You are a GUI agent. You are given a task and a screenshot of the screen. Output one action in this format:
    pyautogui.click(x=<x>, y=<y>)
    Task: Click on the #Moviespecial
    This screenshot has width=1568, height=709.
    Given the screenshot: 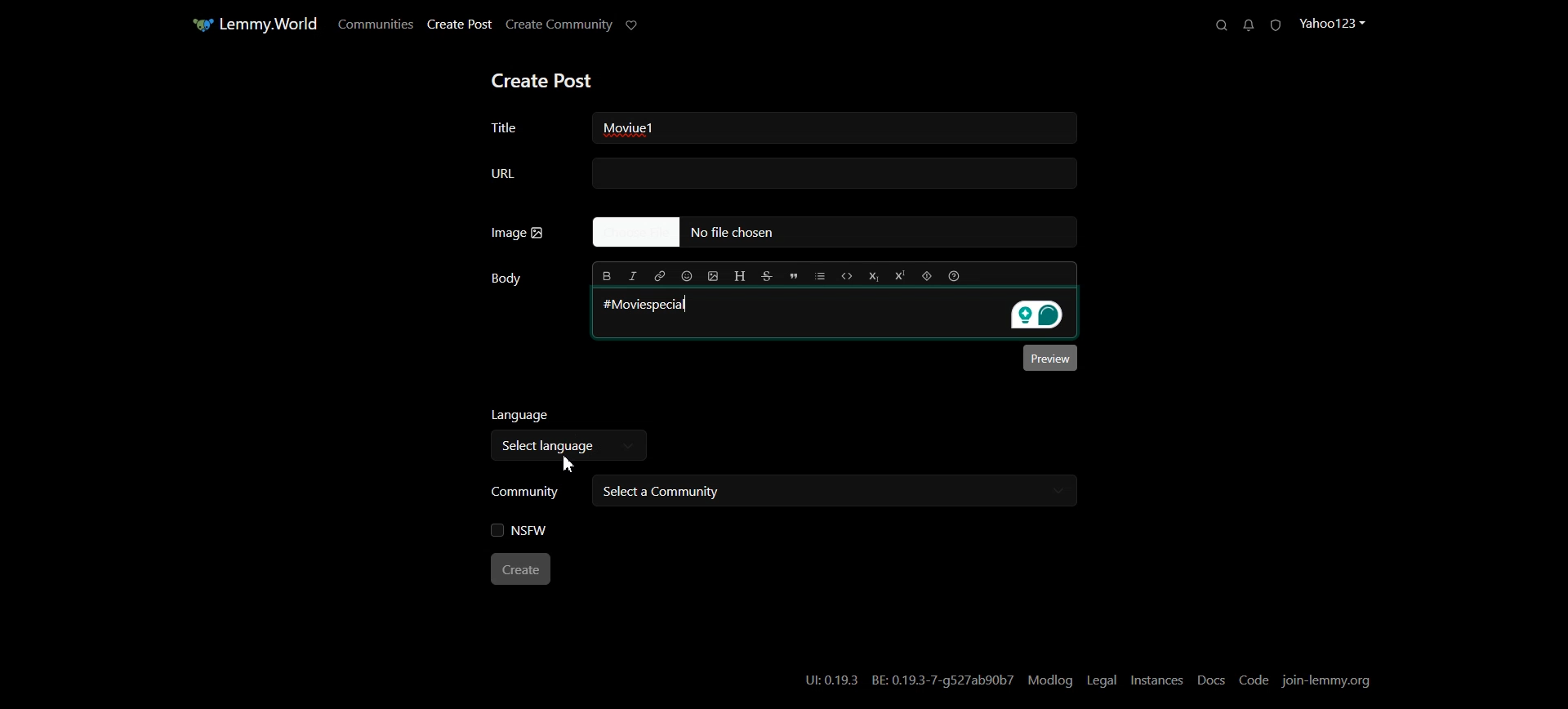 What is the action you would take?
    pyautogui.click(x=662, y=304)
    